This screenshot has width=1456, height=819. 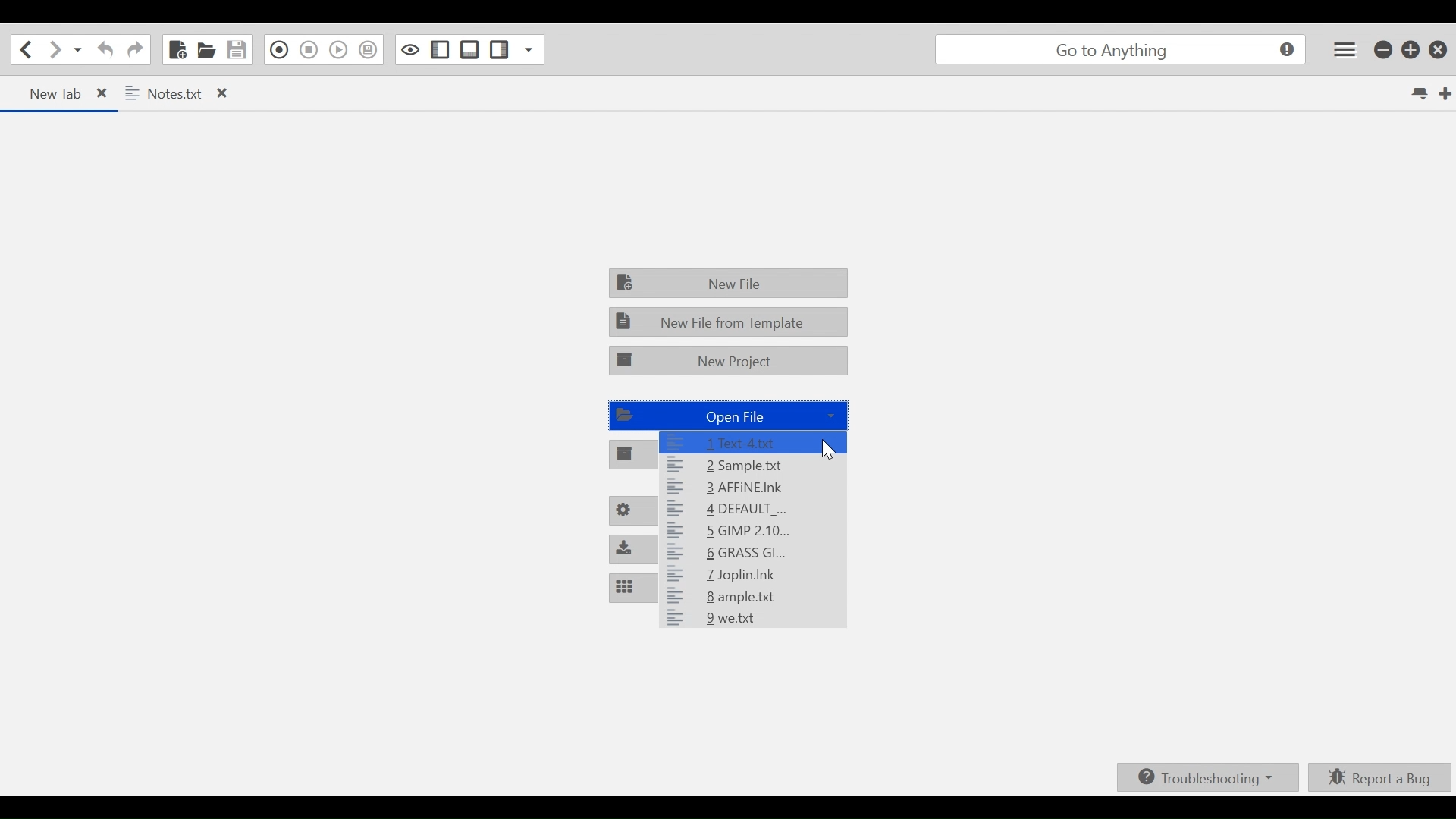 I want to click on Close, so click(x=1437, y=49).